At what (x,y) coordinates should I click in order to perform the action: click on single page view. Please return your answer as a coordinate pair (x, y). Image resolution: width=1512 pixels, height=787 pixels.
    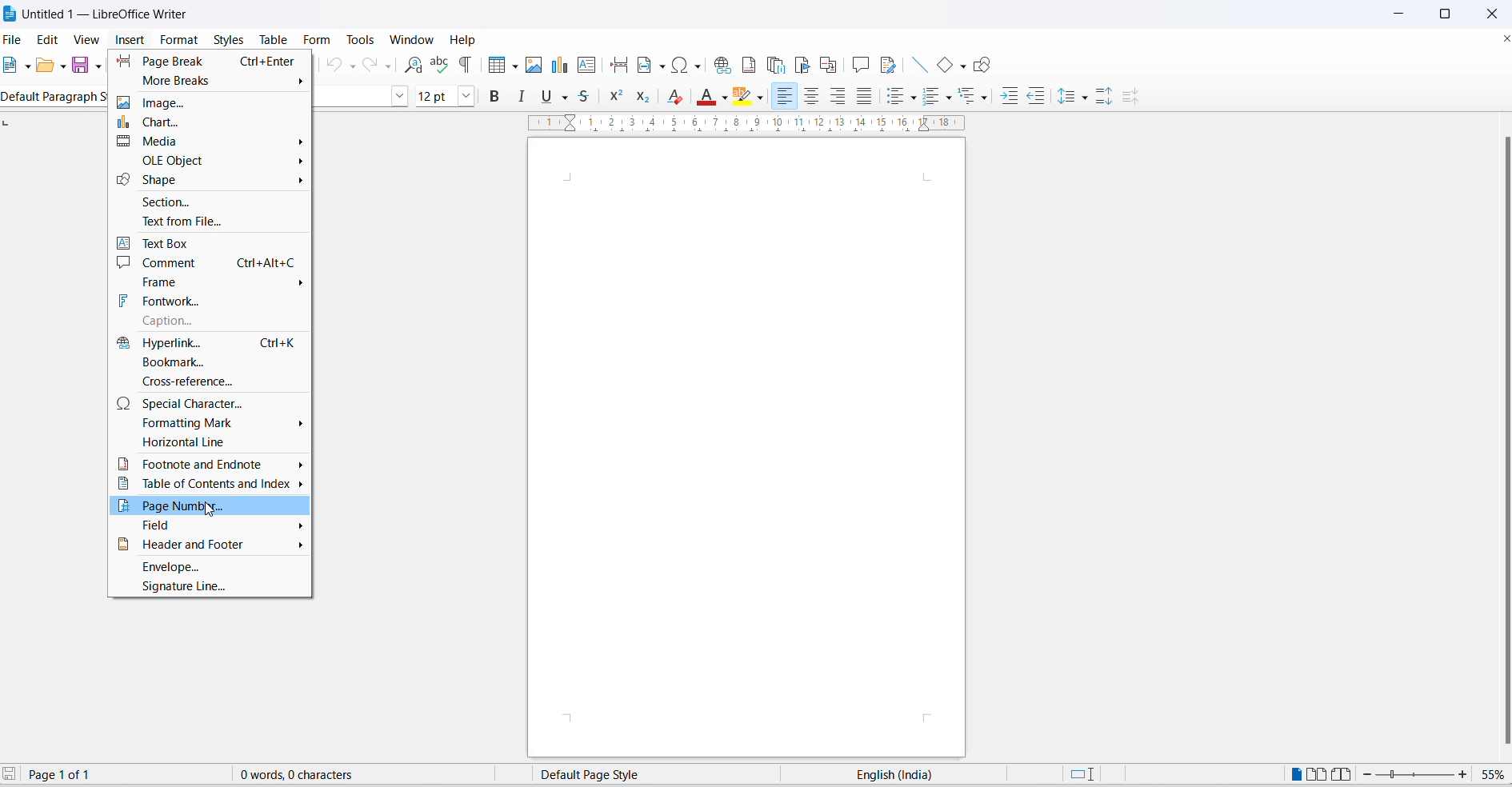
    Looking at the image, I should click on (1292, 774).